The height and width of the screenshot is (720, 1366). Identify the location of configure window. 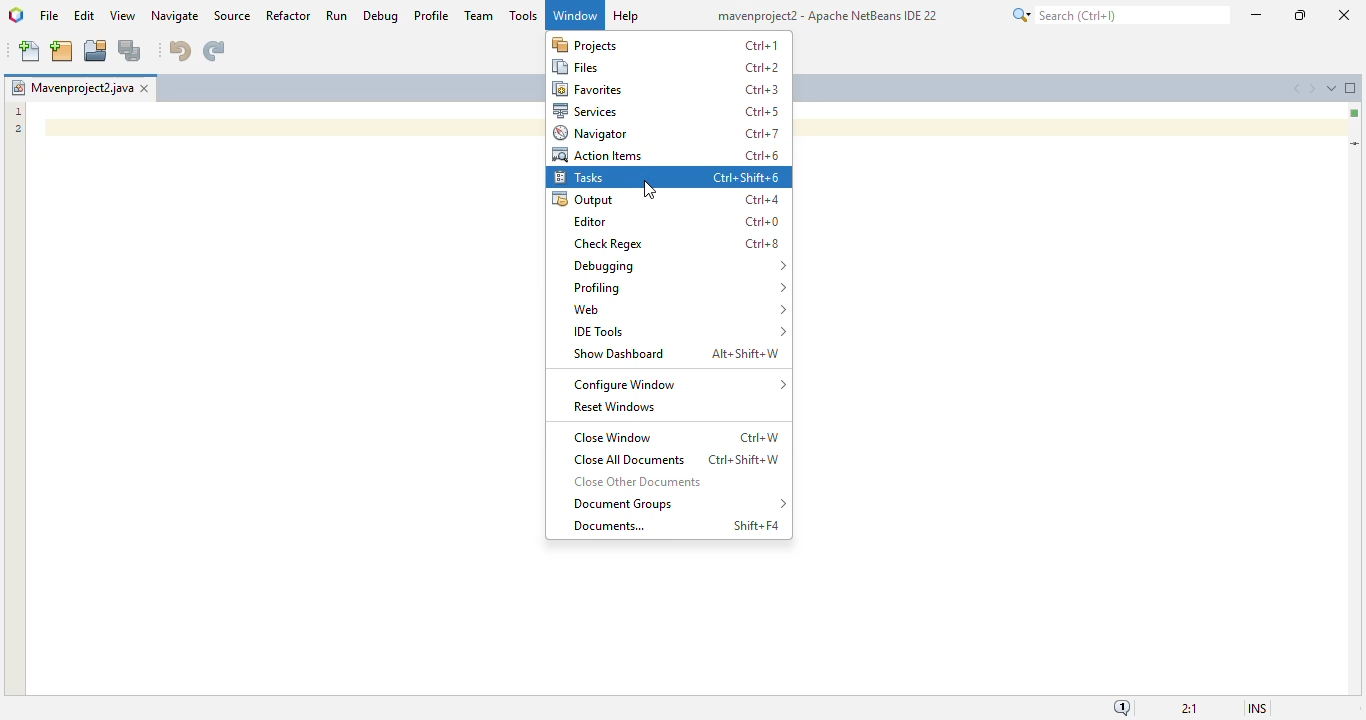
(680, 385).